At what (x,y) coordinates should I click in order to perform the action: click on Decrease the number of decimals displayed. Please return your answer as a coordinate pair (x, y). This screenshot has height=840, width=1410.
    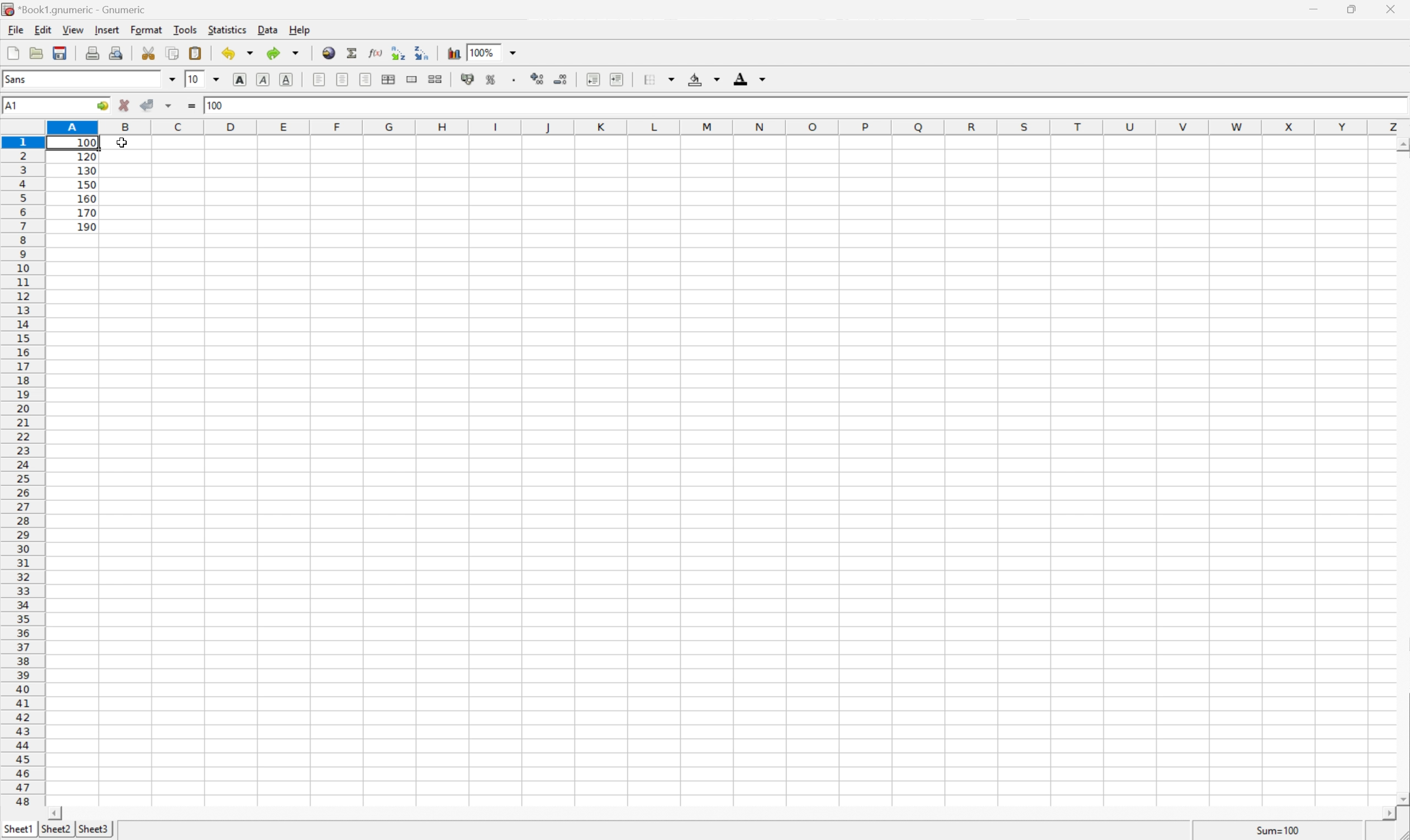
    Looking at the image, I should click on (562, 80).